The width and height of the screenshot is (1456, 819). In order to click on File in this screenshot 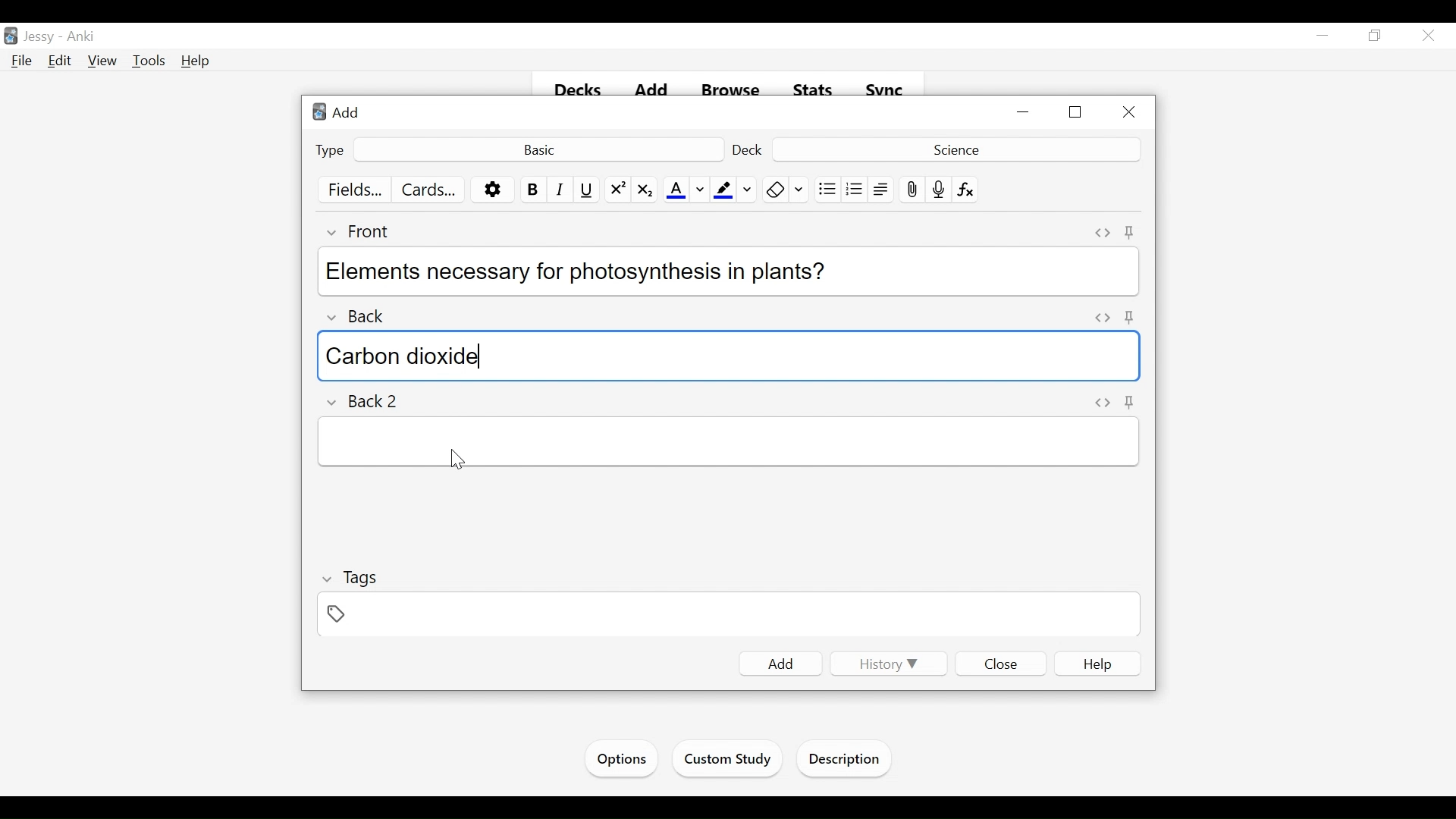, I will do `click(22, 61)`.